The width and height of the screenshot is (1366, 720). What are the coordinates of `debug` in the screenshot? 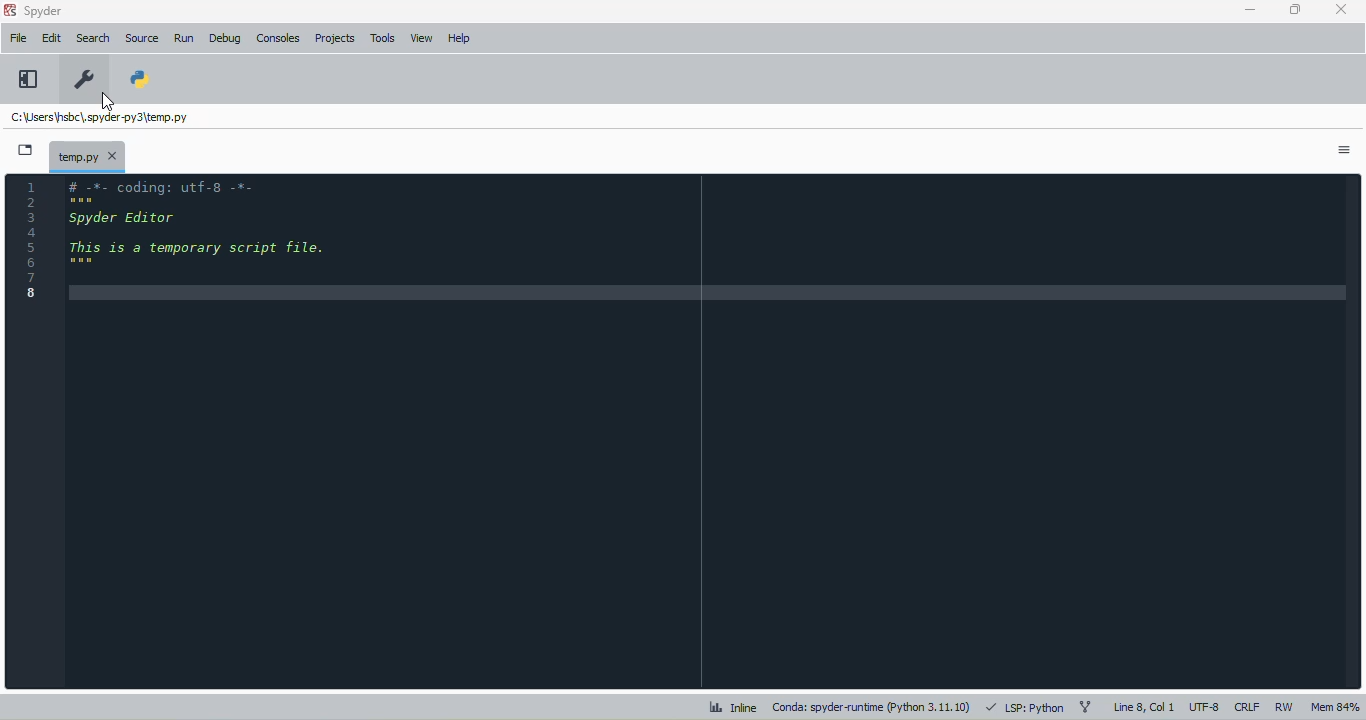 It's located at (225, 38).